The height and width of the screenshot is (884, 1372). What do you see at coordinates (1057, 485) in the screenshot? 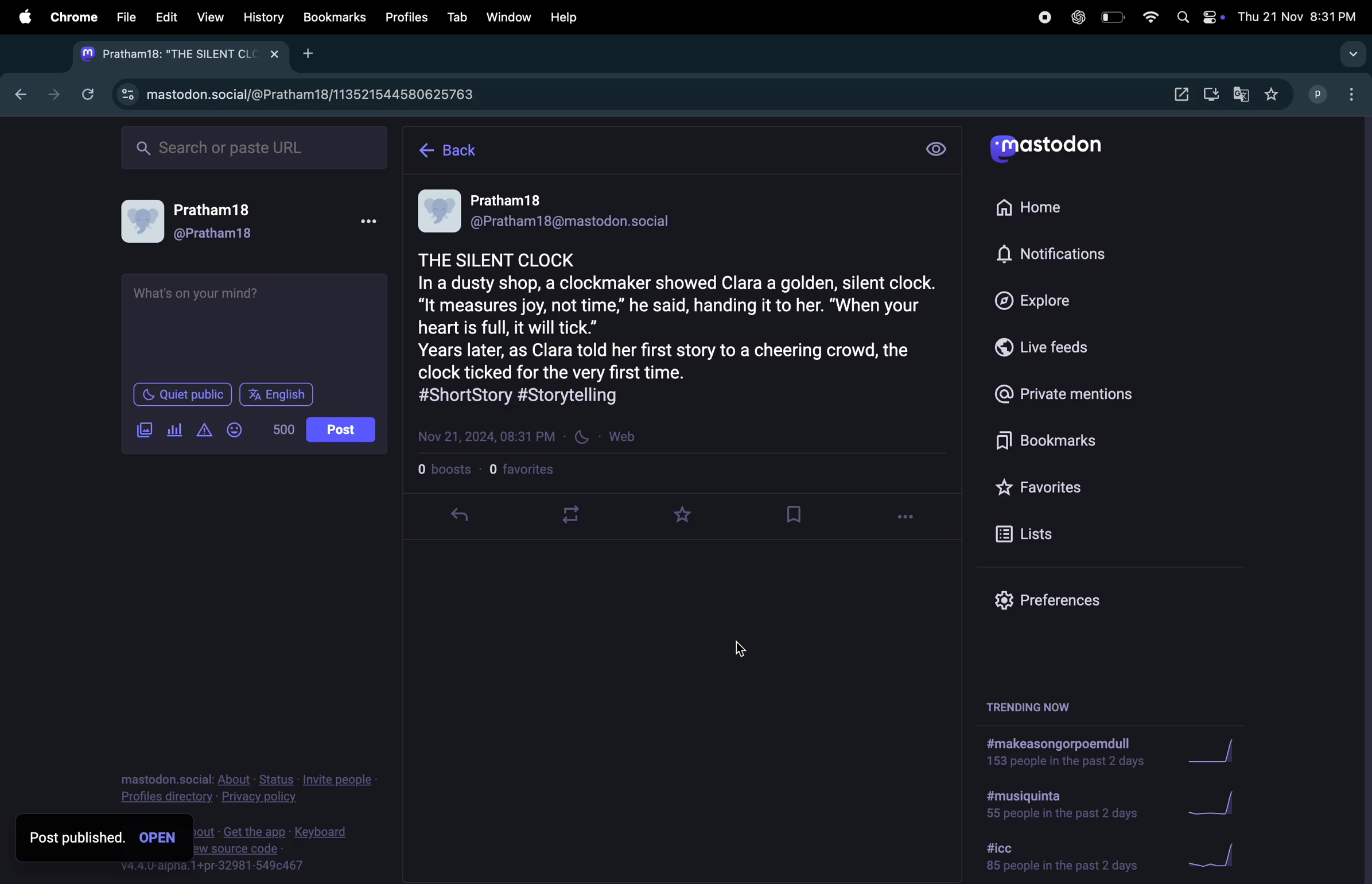
I see `favourites` at bounding box center [1057, 485].